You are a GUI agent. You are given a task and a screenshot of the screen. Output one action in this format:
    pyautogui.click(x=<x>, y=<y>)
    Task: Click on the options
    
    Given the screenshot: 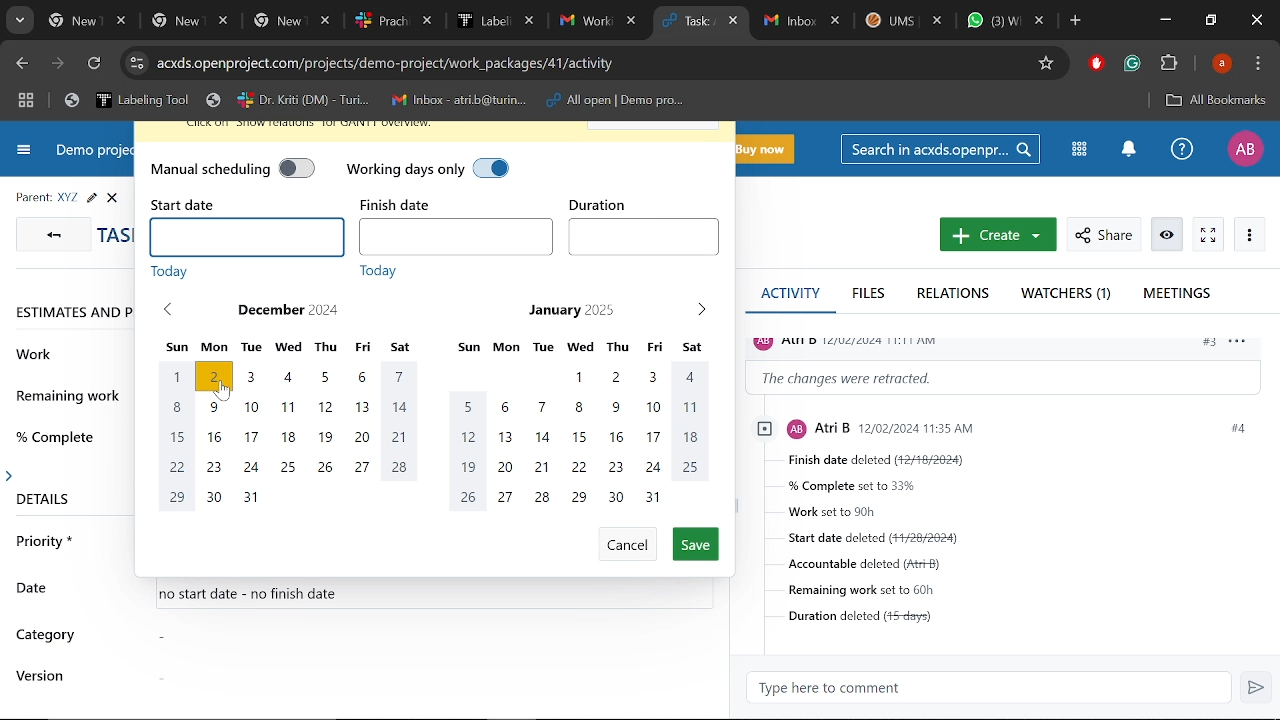 What is the action you would take?
    pyautogui.click(x=1243, y=345)
    